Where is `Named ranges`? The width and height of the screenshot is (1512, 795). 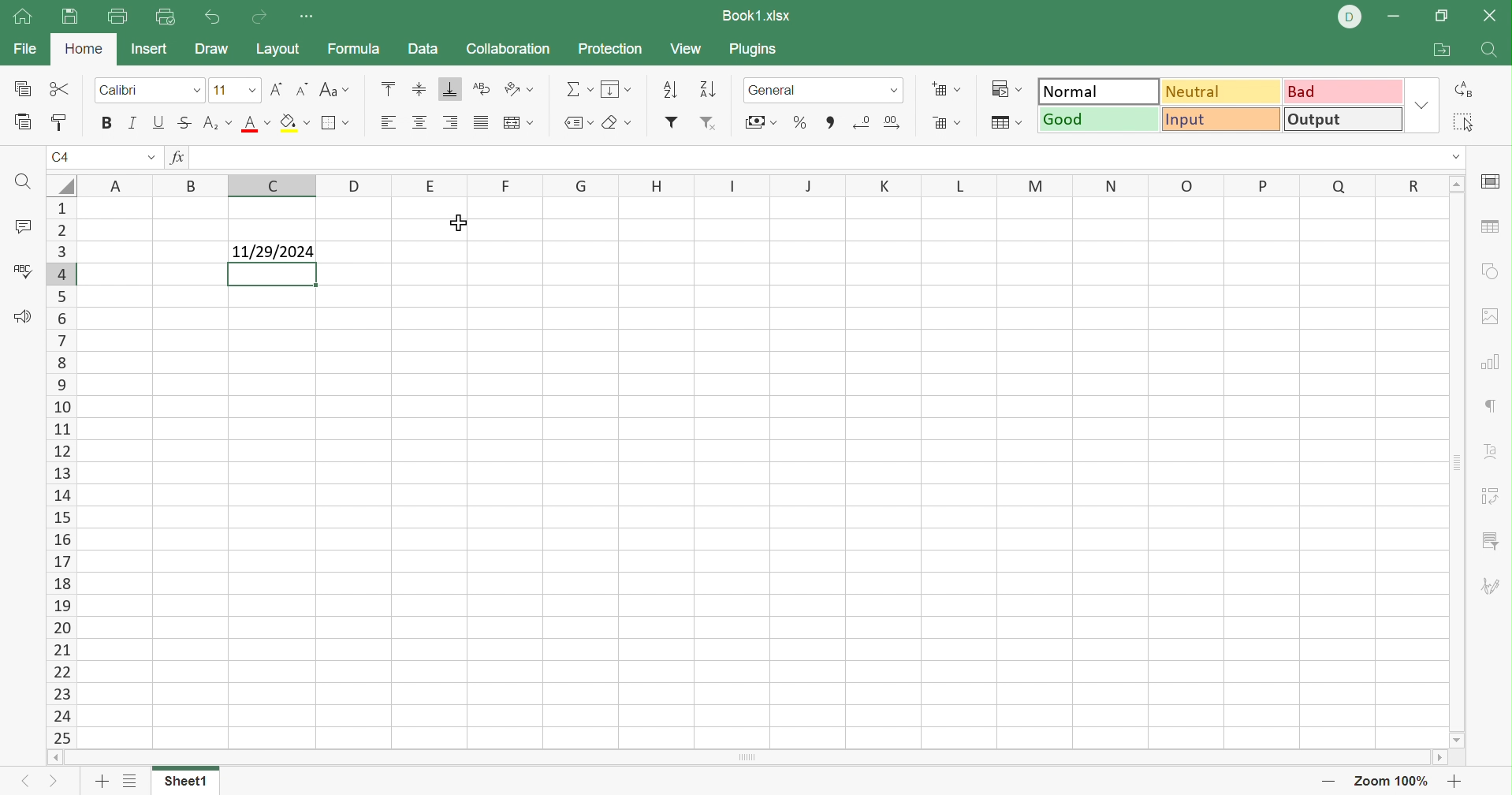
Named ranges is located at coordinates (578, 122).